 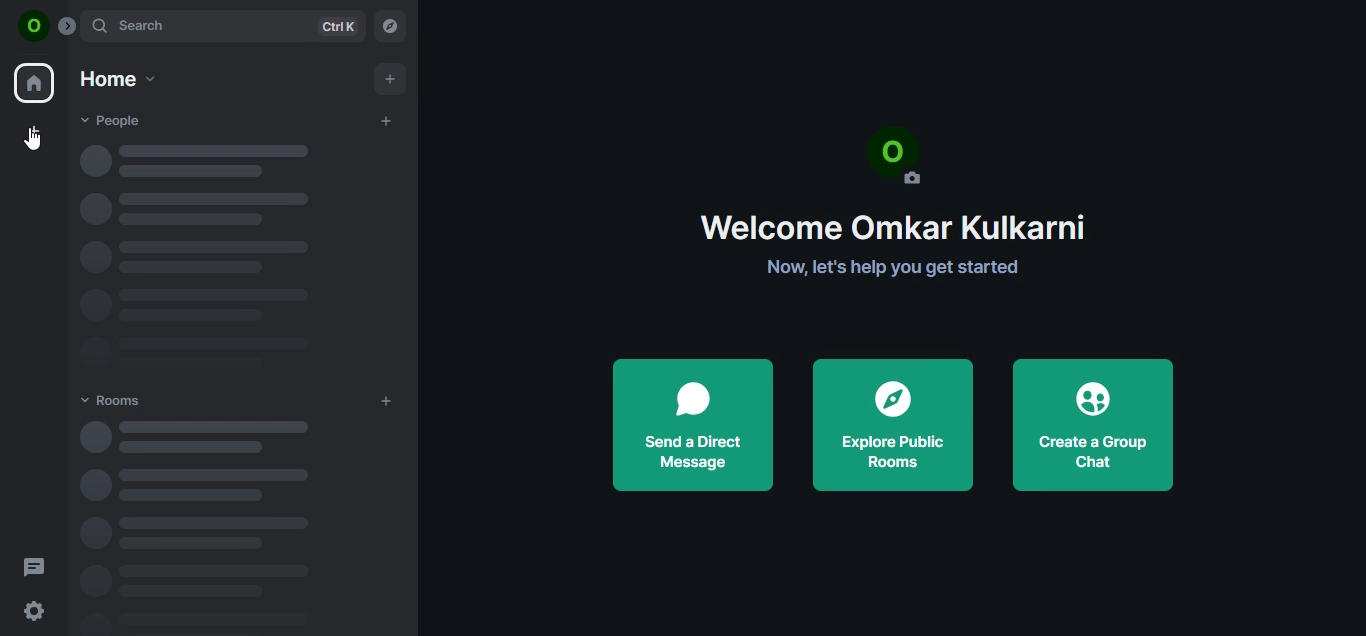 What do you see at coordinates (68, 28) in the screenshot?
I see `expand` at bounding box center [68, 28].